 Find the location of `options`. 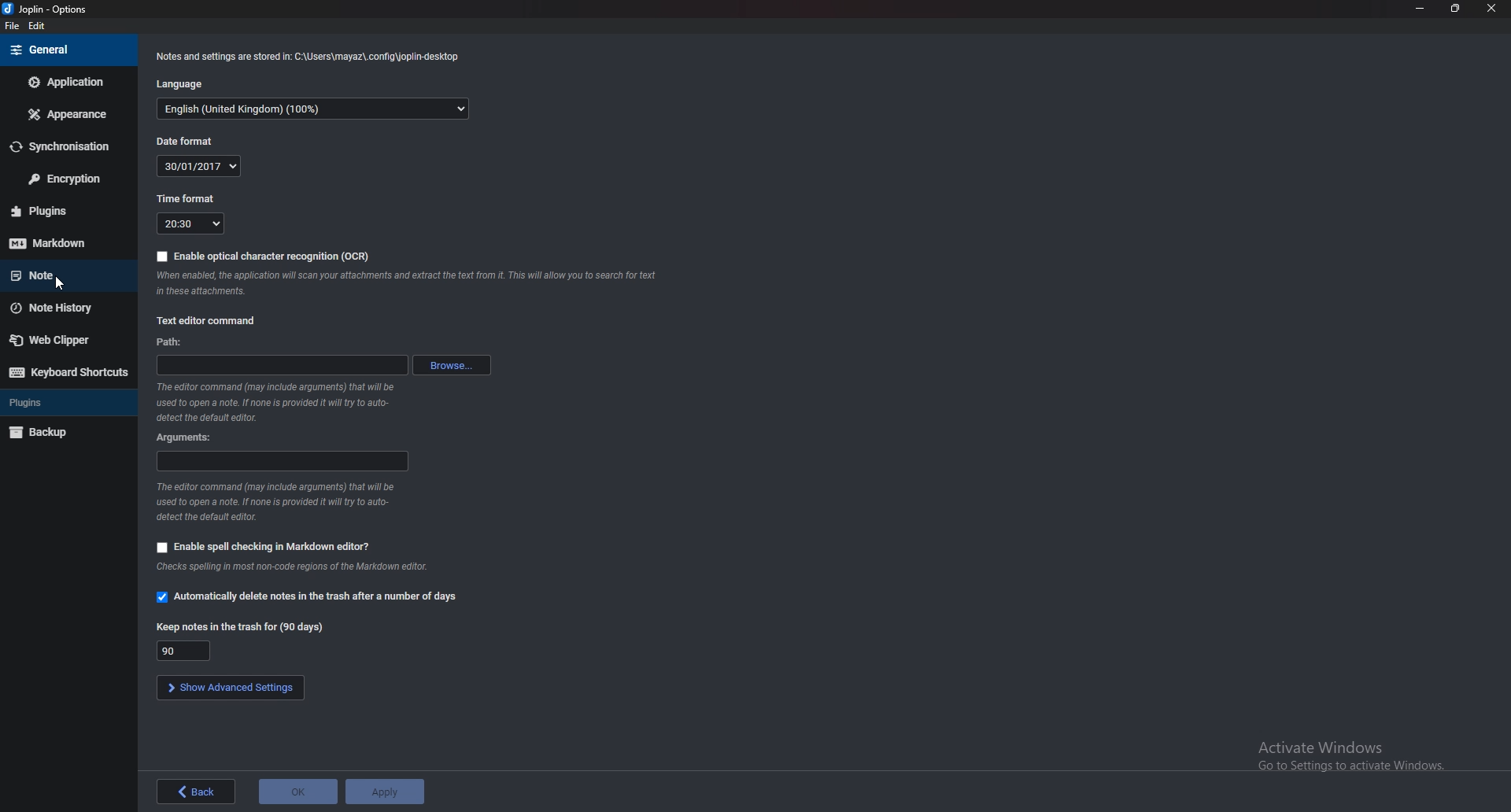

options is located at coordinates (49, 8).